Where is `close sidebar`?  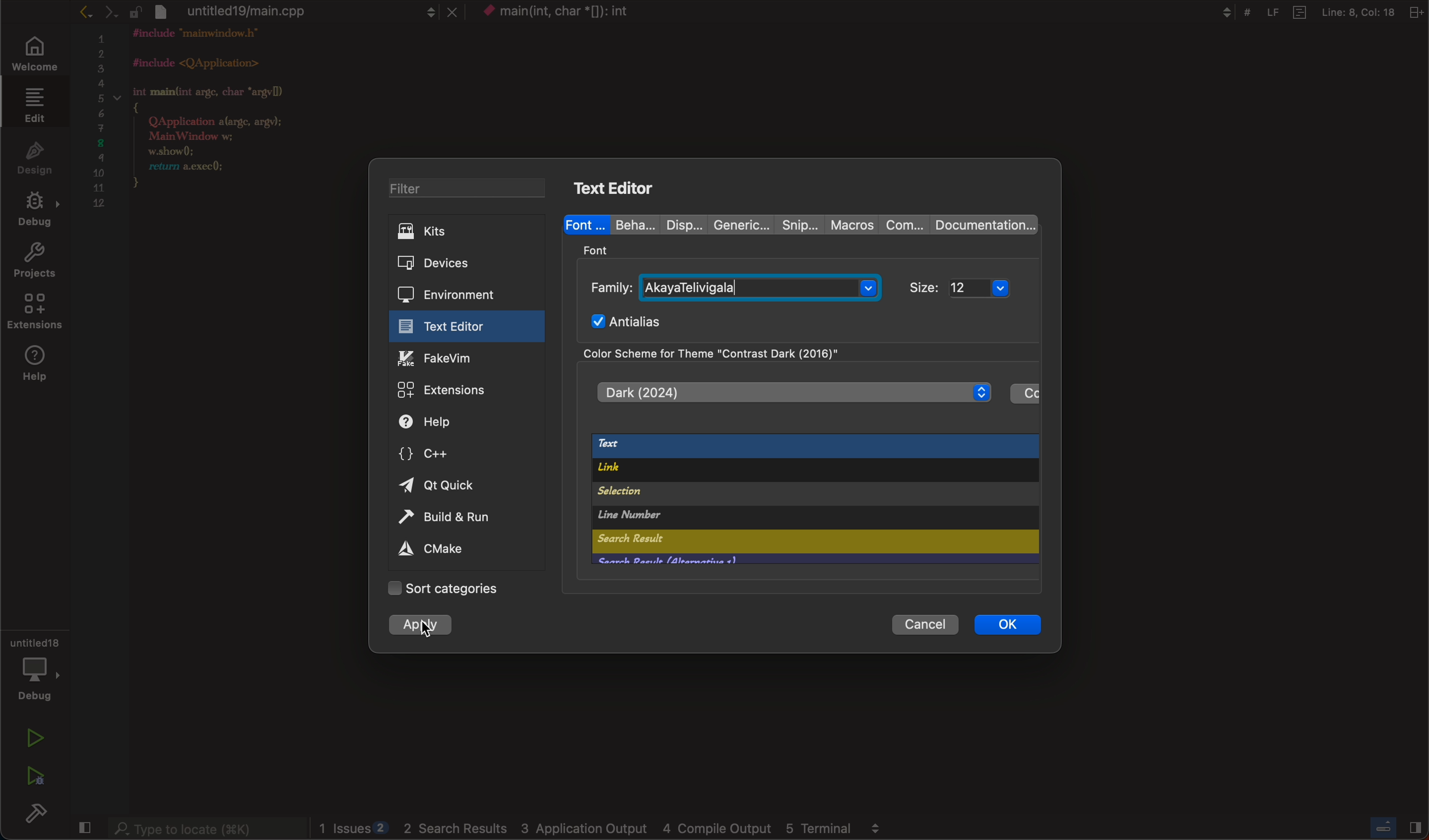 close sidebar is located at coordinates (85, 828).